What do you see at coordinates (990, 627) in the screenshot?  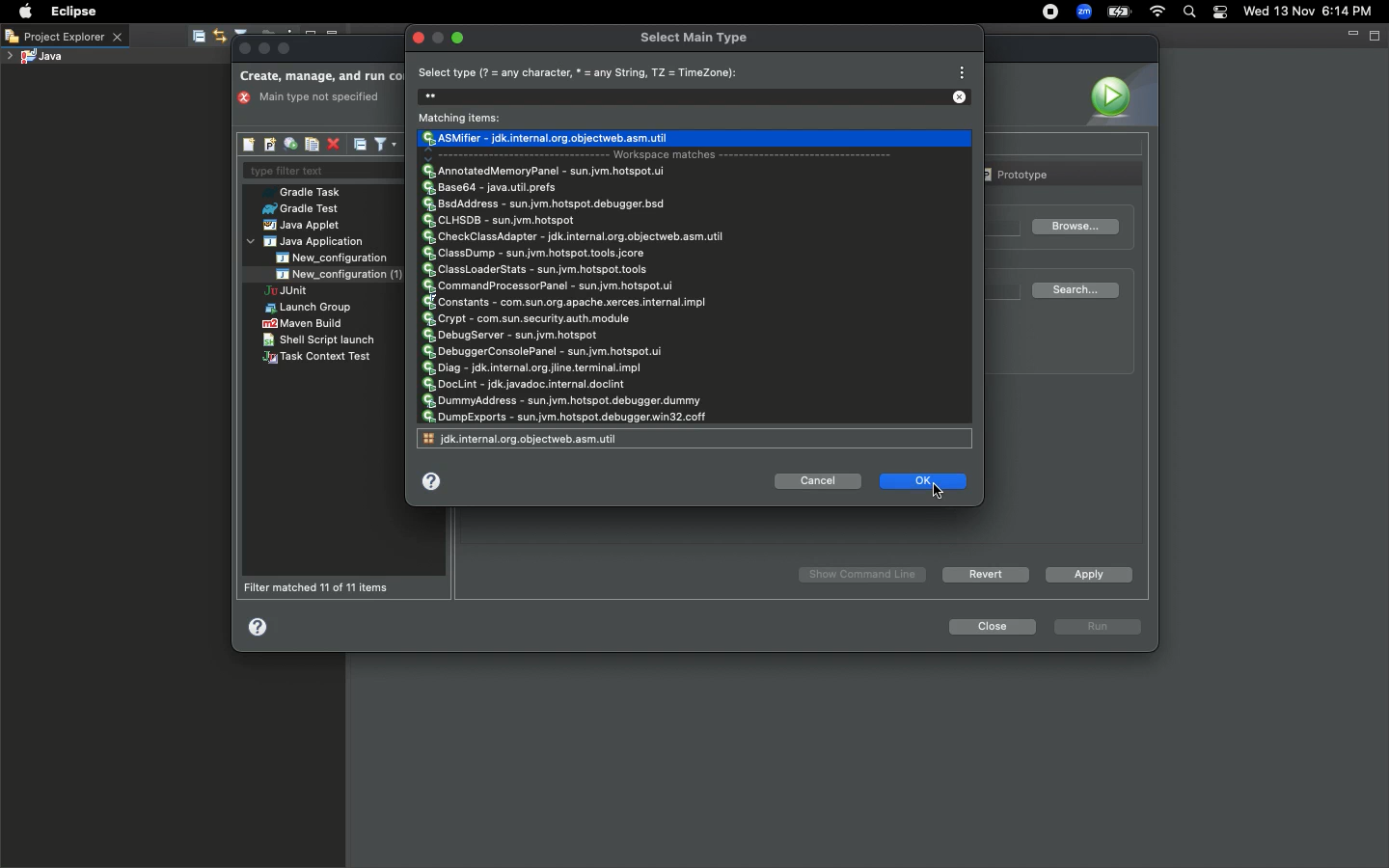 I see `Close` at bounding box center [990, 627].